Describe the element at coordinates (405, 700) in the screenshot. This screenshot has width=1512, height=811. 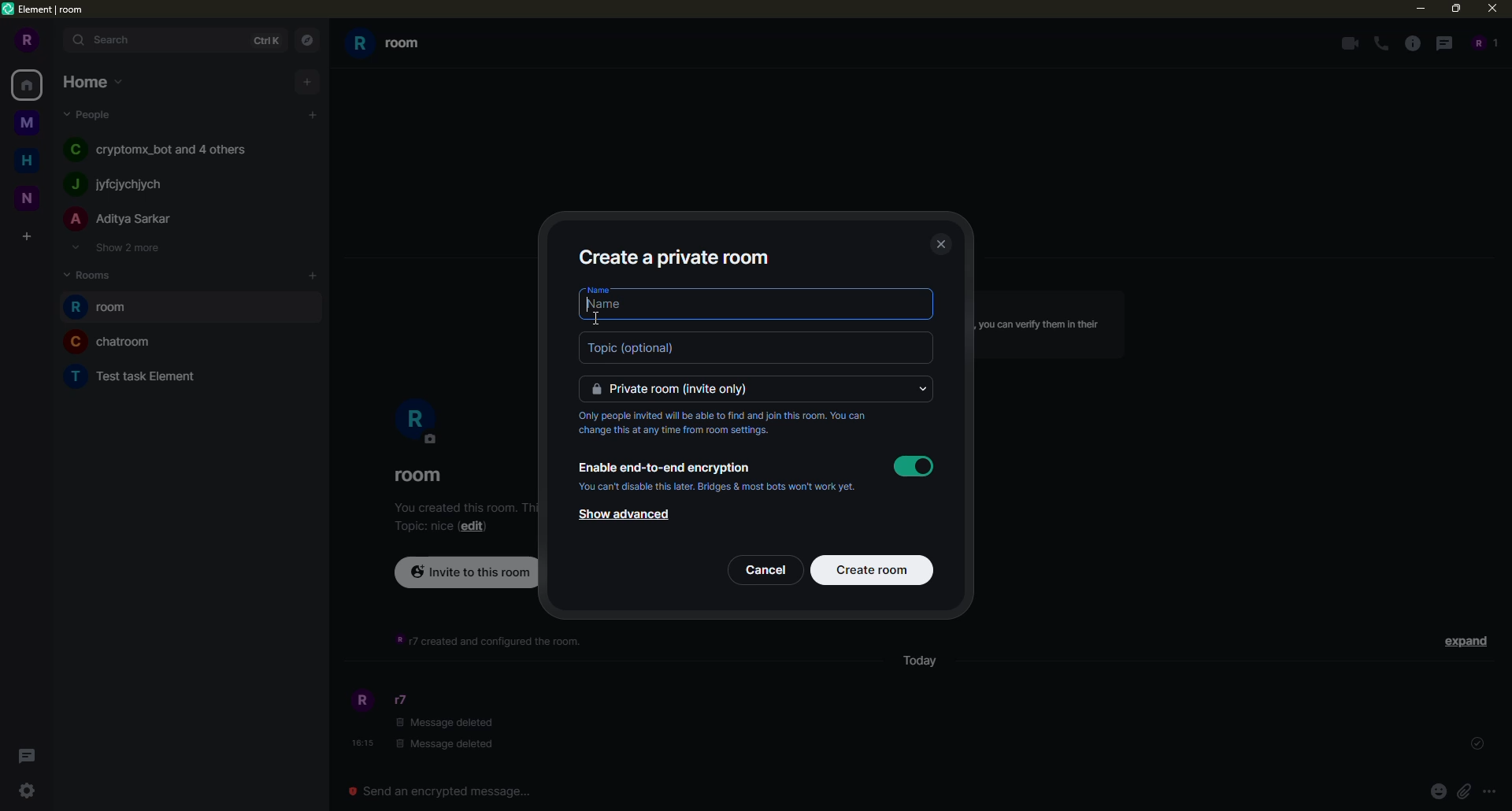
I see `people` at that location.